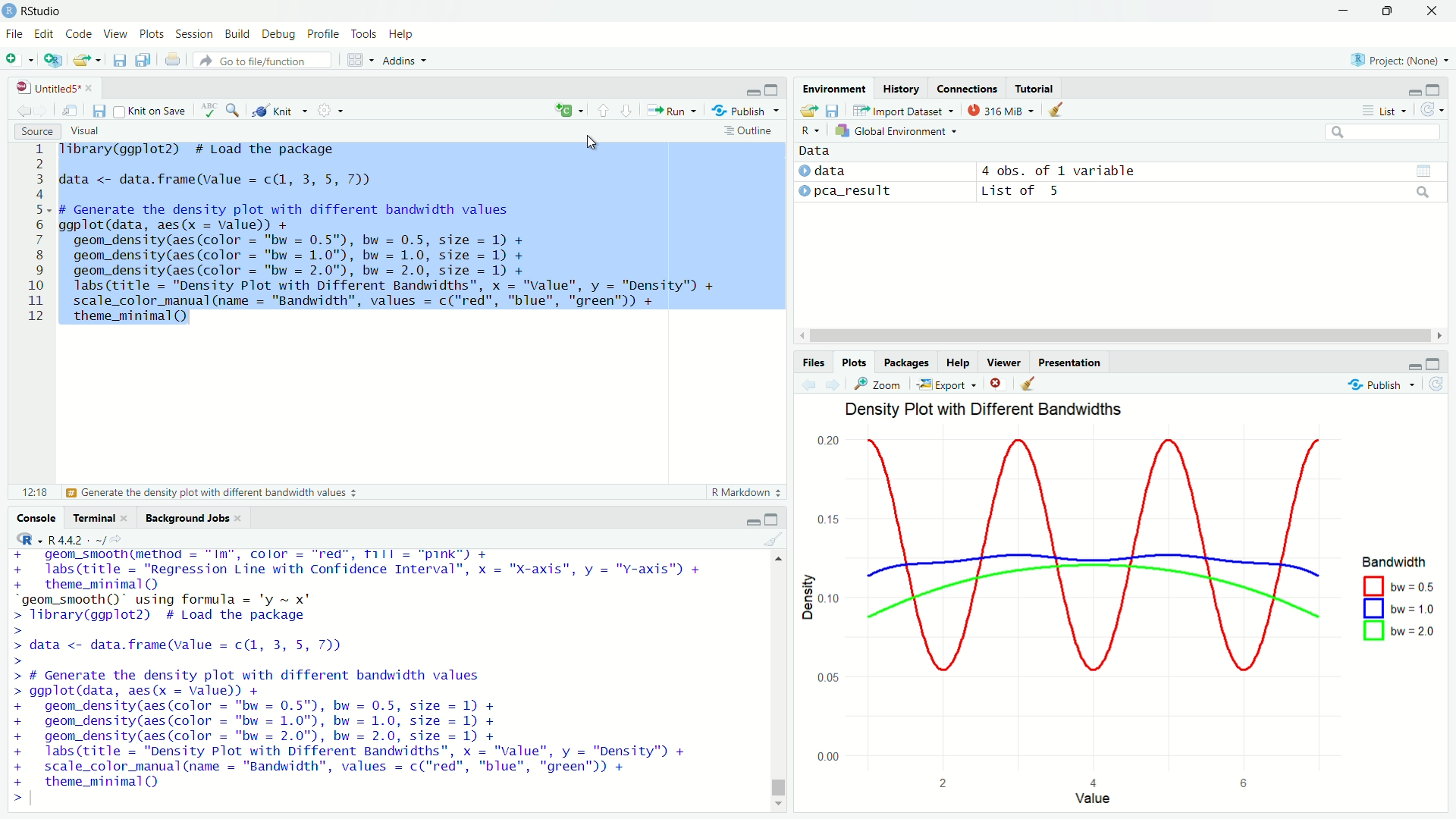  What do you see at coordinates (1004, 362) in the screenshot?
I see `Viewer` at bounding box center [1004, 362].